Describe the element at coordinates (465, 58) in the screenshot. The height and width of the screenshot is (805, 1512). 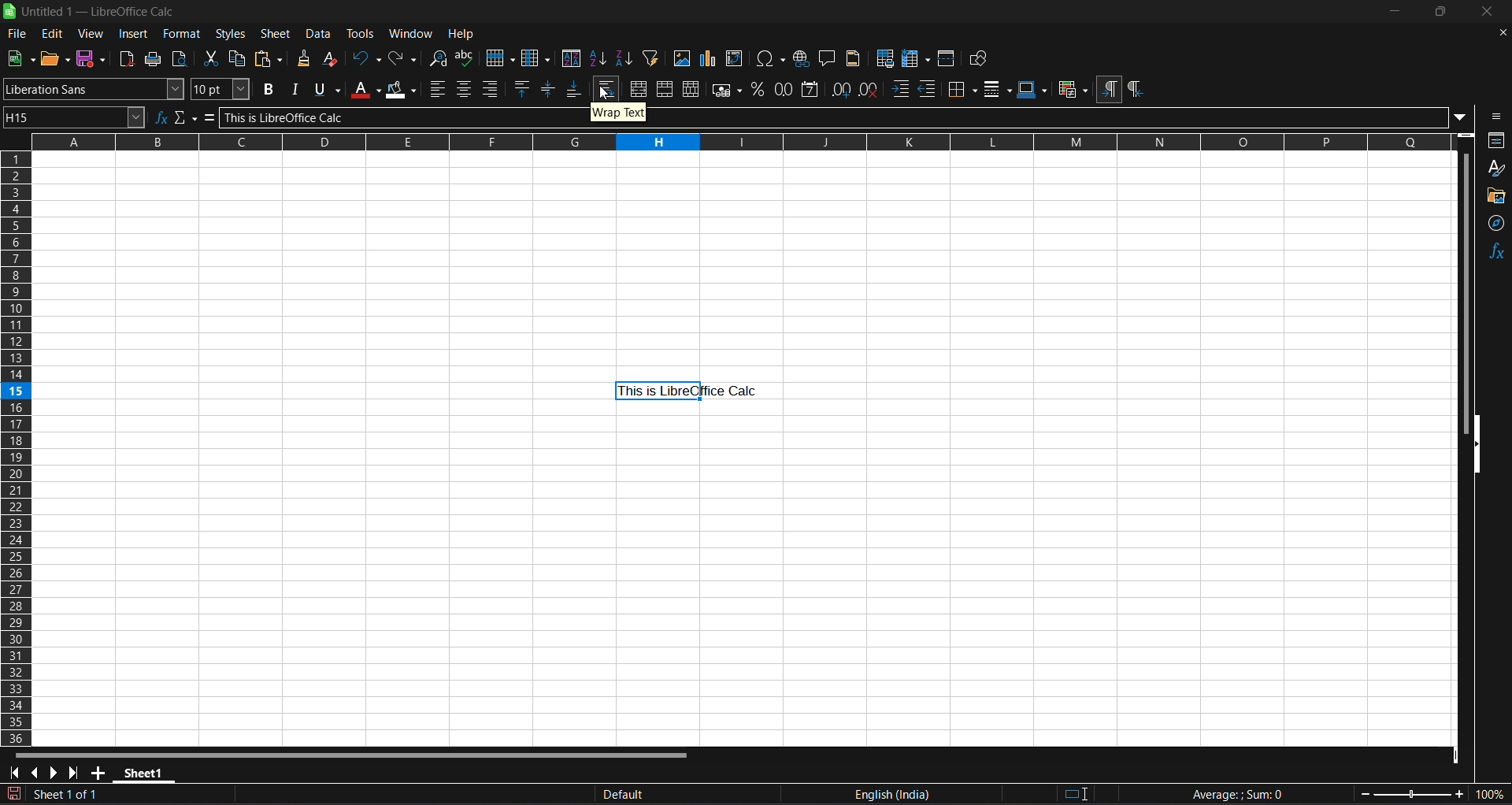
I see `spelling` at that location.